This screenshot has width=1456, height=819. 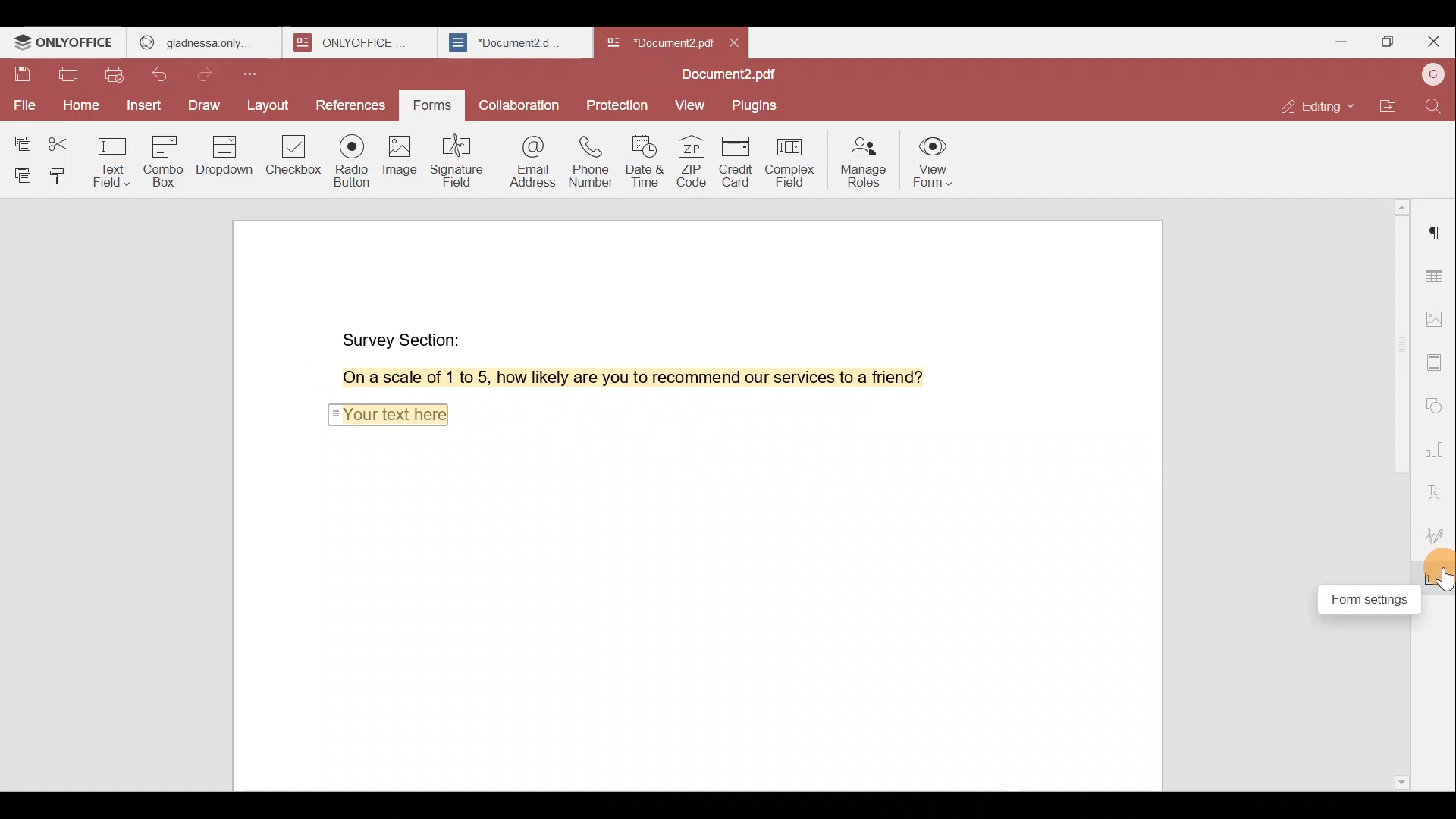 What do you see at coordinates (740, 162) in the screenshot?
I see `Credit card` at bounding box center [740, 162].